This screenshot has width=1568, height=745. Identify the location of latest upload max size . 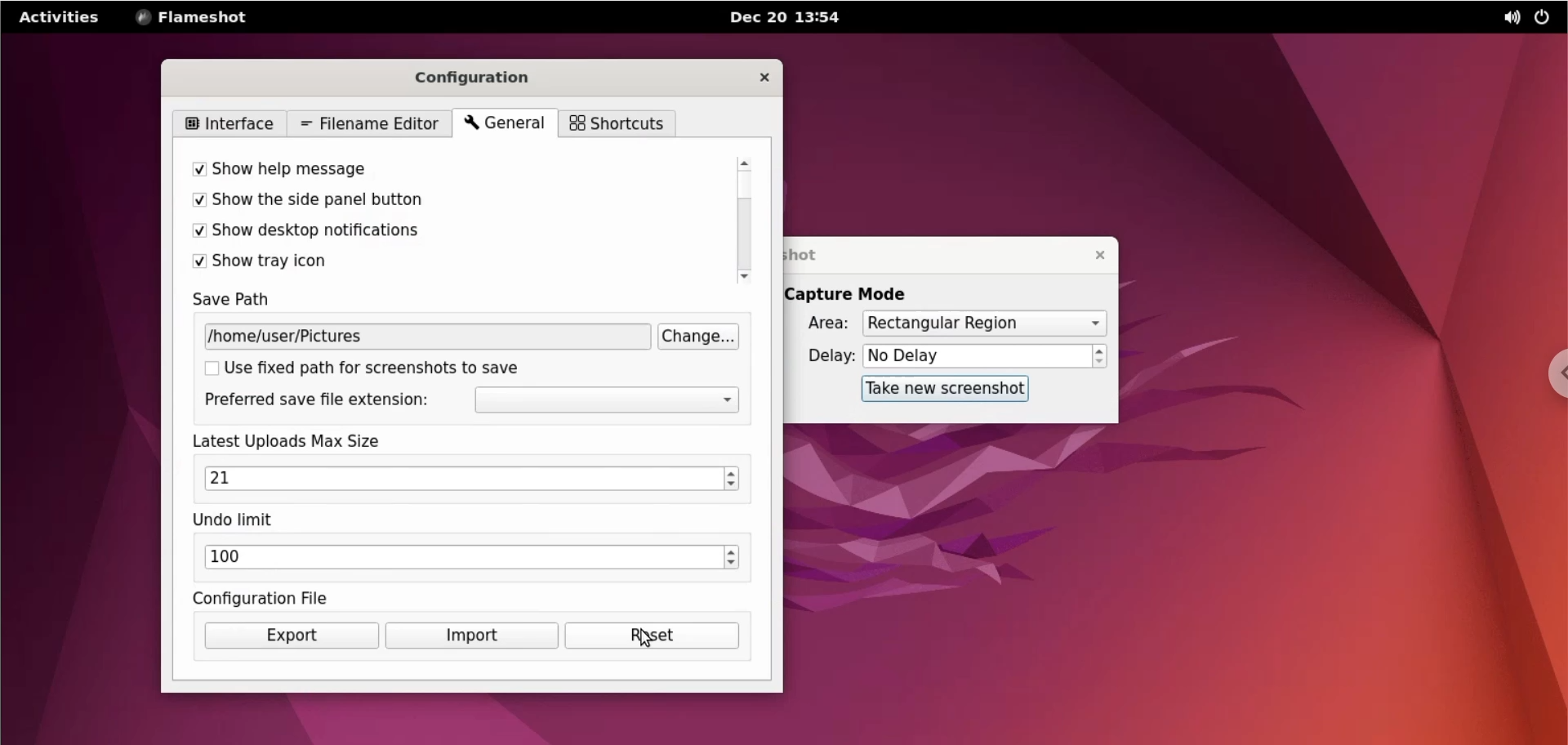
(312, 441).